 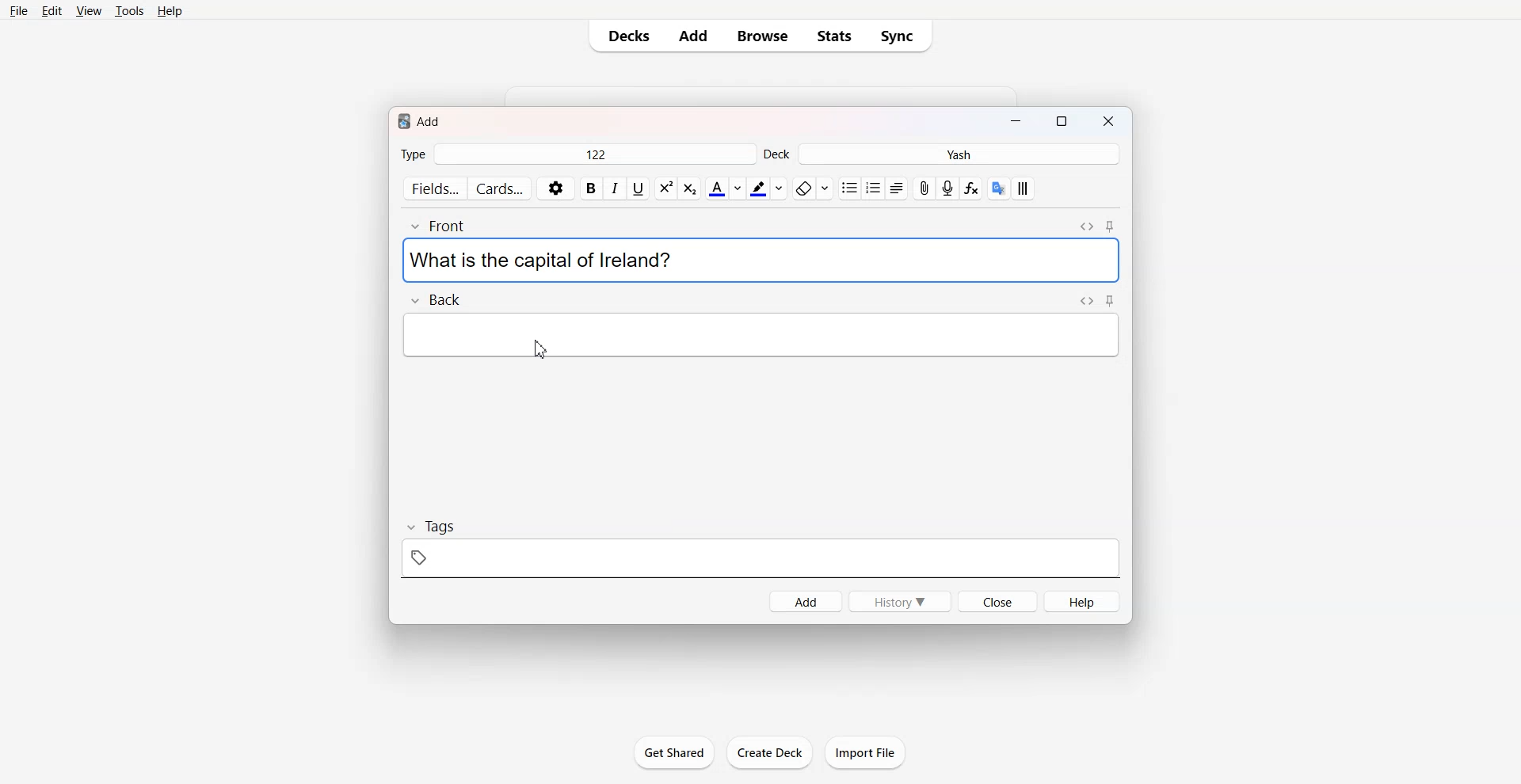 I want to click on Highlight Text Color, so click(x=767, y=188).